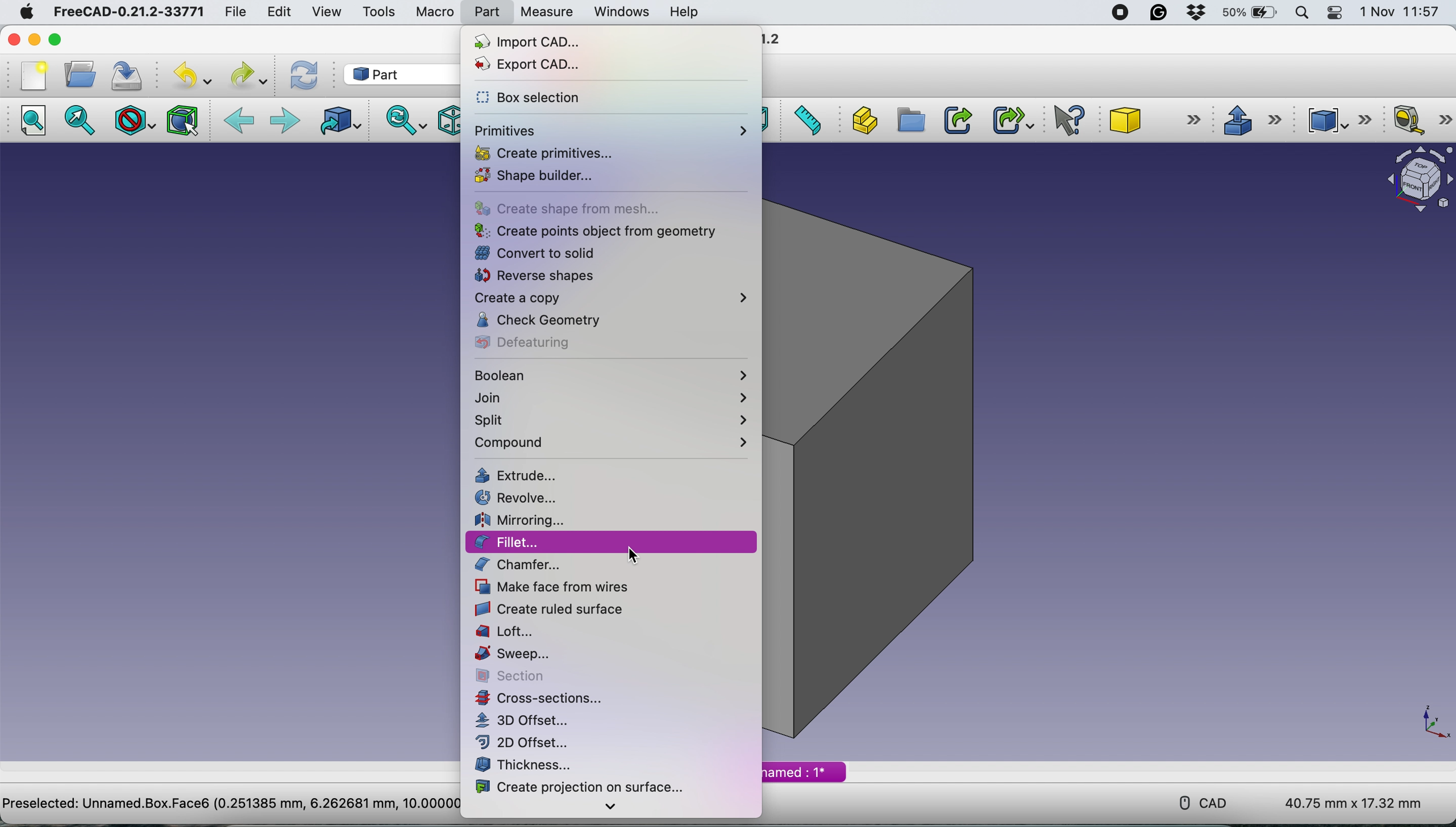  Describe the element at coordinates (278, 12) in the screenshot. I see `edit` at that location.